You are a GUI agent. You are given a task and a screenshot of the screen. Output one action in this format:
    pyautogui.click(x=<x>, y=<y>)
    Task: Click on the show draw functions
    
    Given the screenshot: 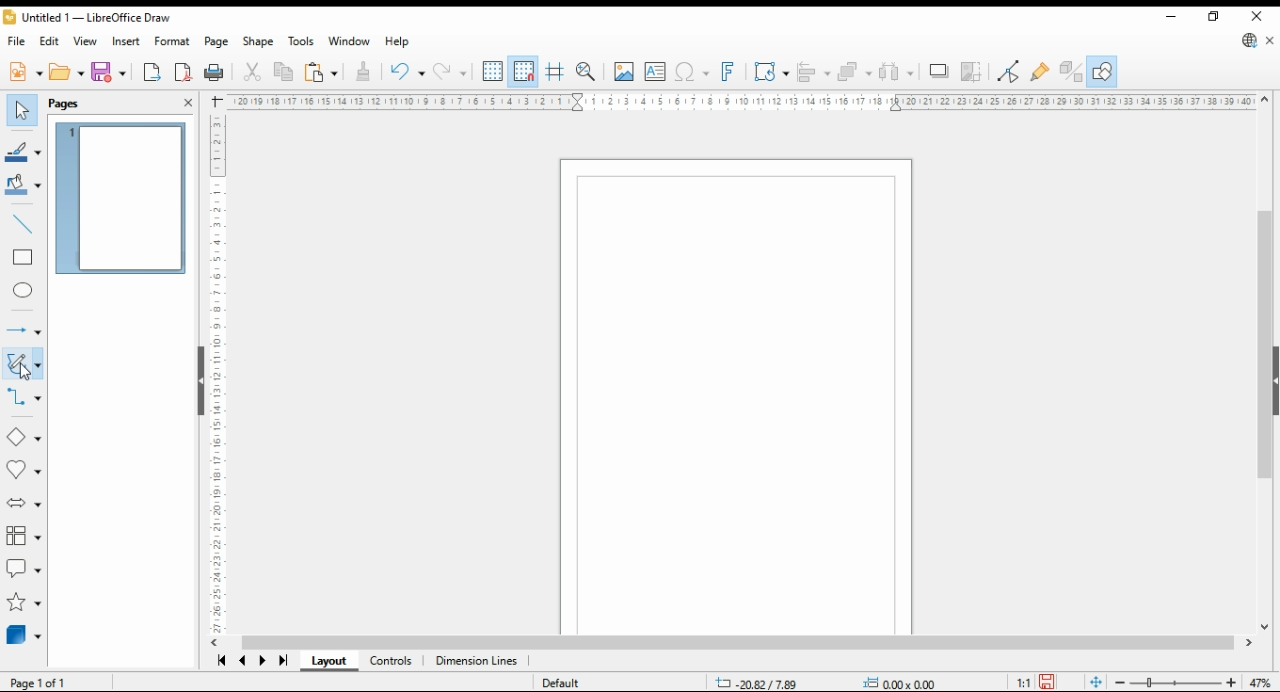 What is the action you would take?
    pyautogui.click(x=1103, y=71)
    